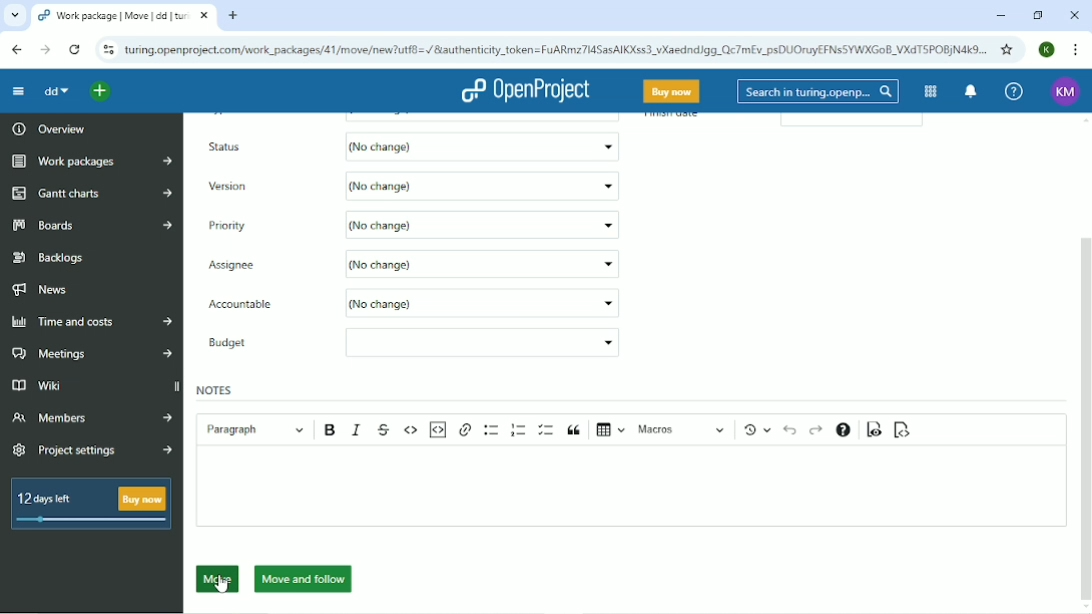 Image resolution: width=1092 pixels, height=614 pixels. Describe the element at coordinates (76, 50) in the screenshot. I see `reload this page` at that location.